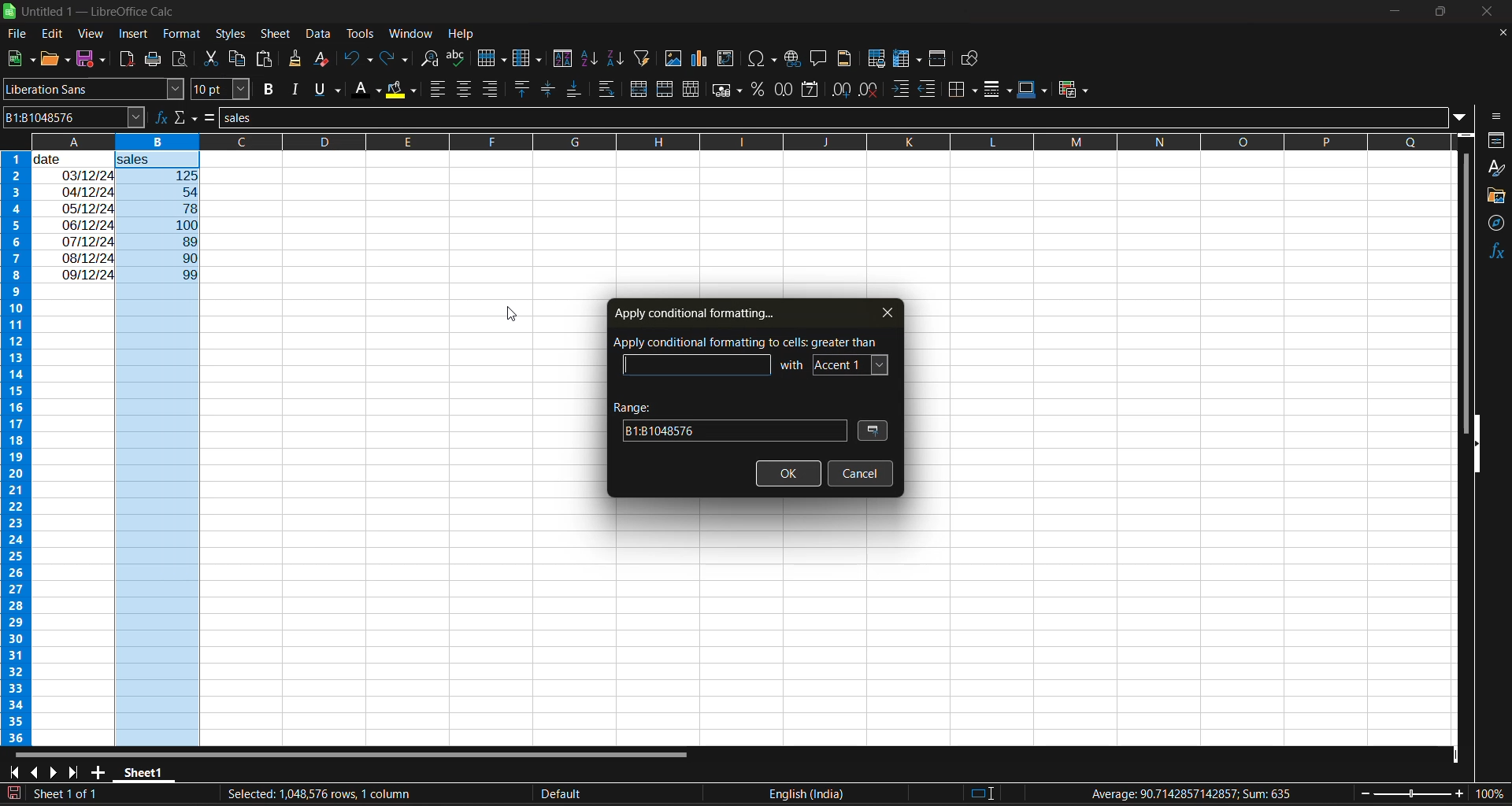 The height and width of the screenshot is (806, 1512). What do you see at coordinates (357, 753) in the screenshot?
I see `horizontal scroll bar` at bounding box center [357, 753].